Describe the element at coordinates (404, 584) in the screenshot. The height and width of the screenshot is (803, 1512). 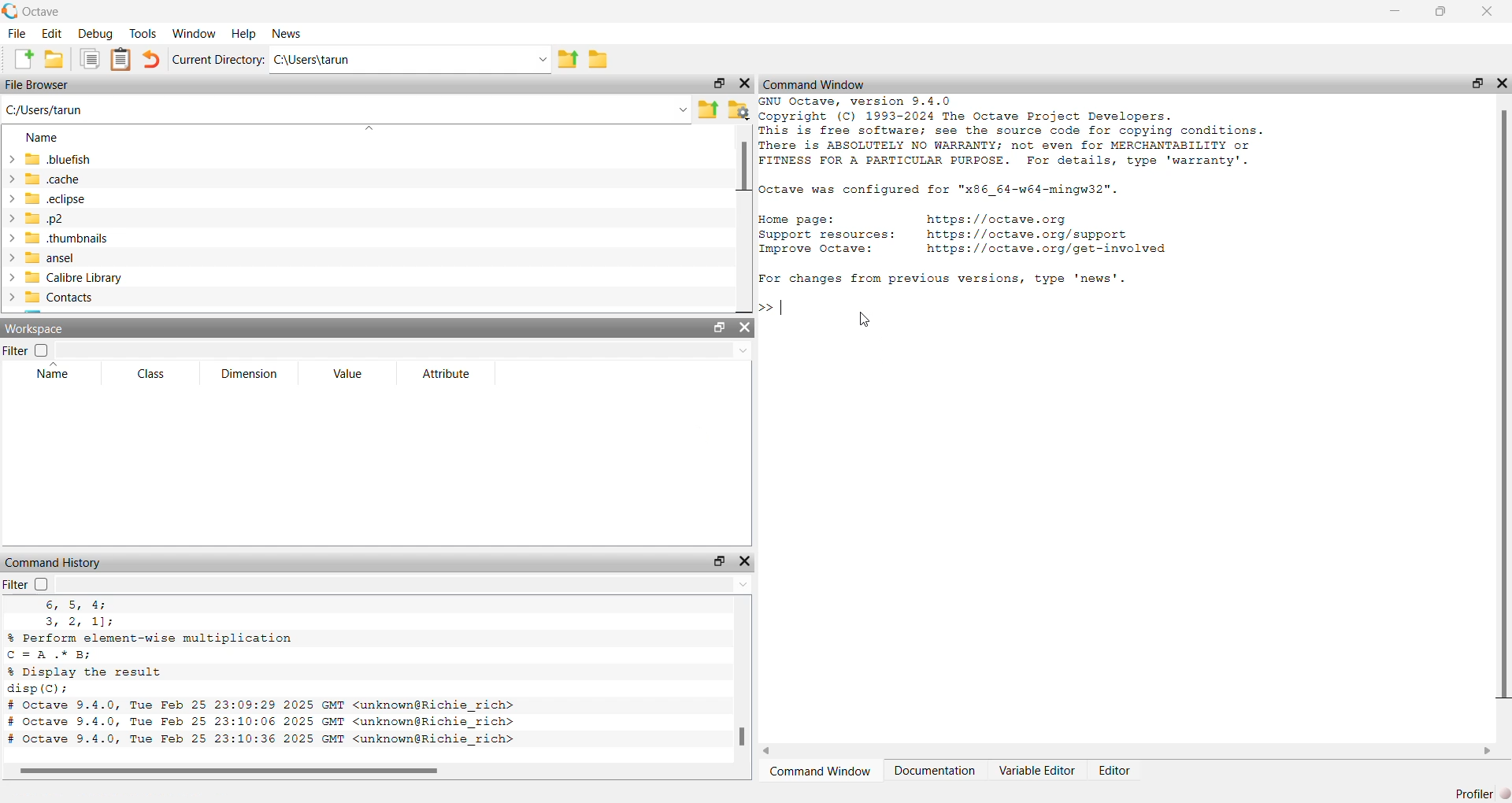
I see `Dropdown` at that location.